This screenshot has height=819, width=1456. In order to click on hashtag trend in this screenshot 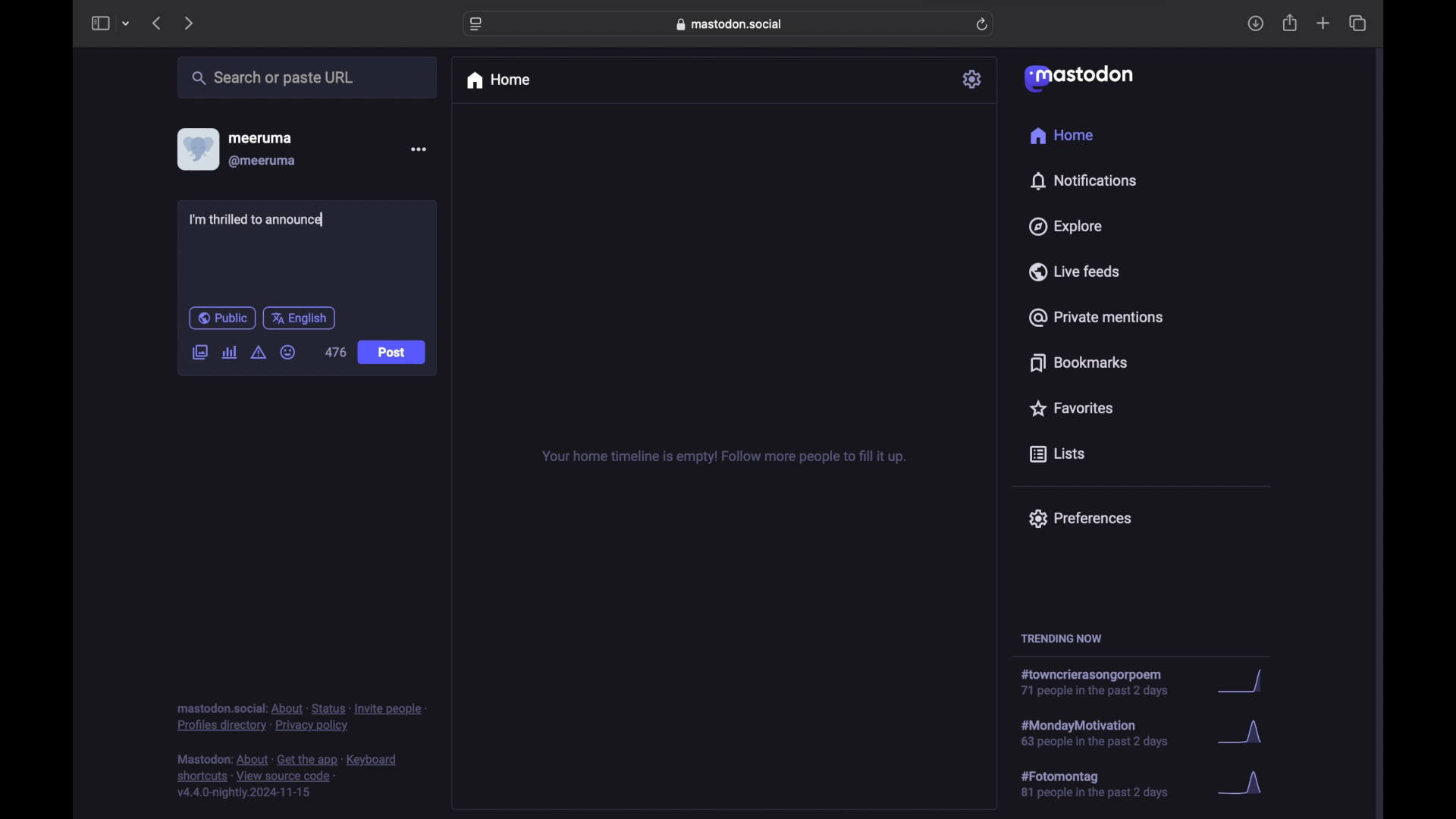, I will do `click(1100, 682)`.